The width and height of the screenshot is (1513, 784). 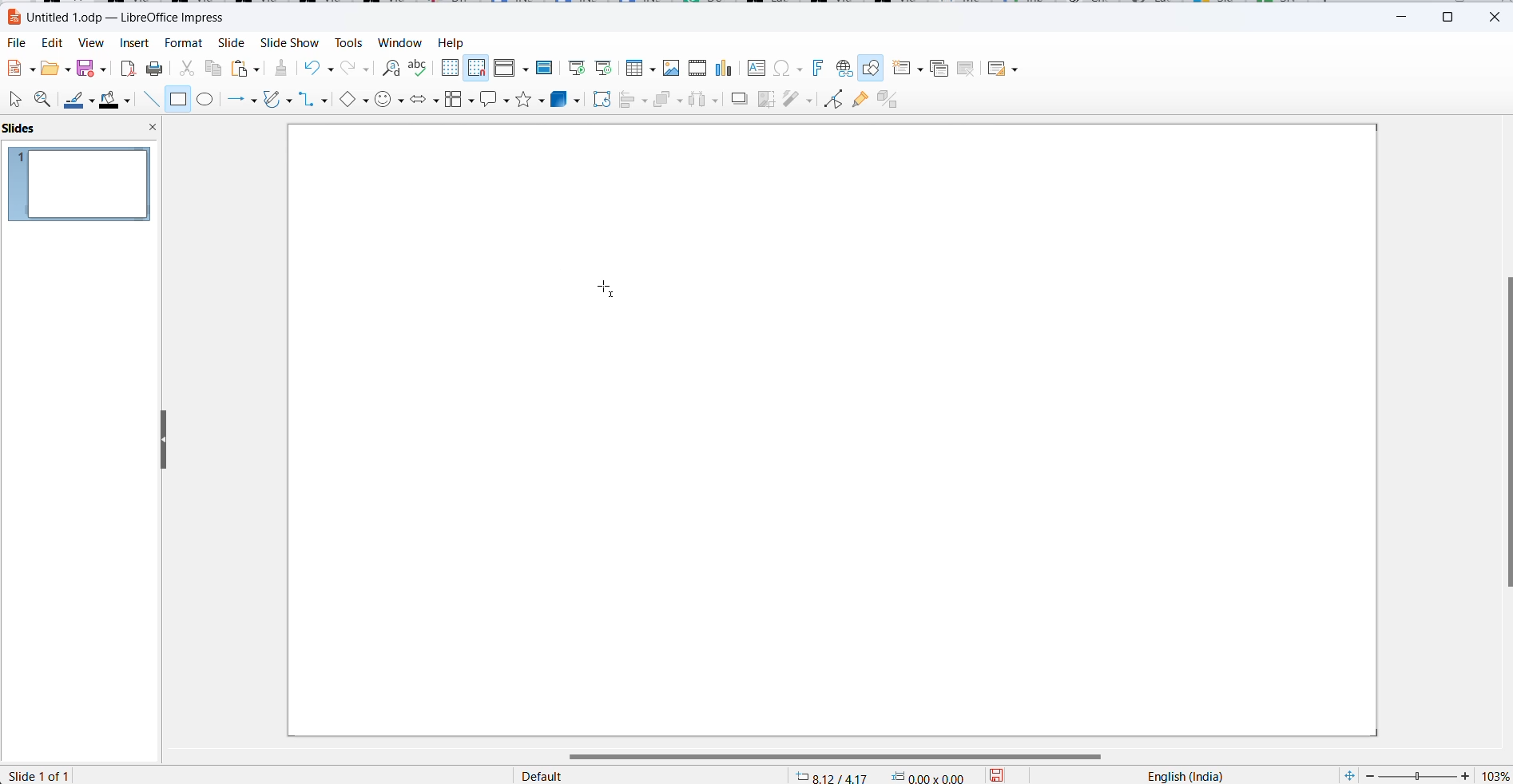 I want to click on cut, so click(x=186, y=71).